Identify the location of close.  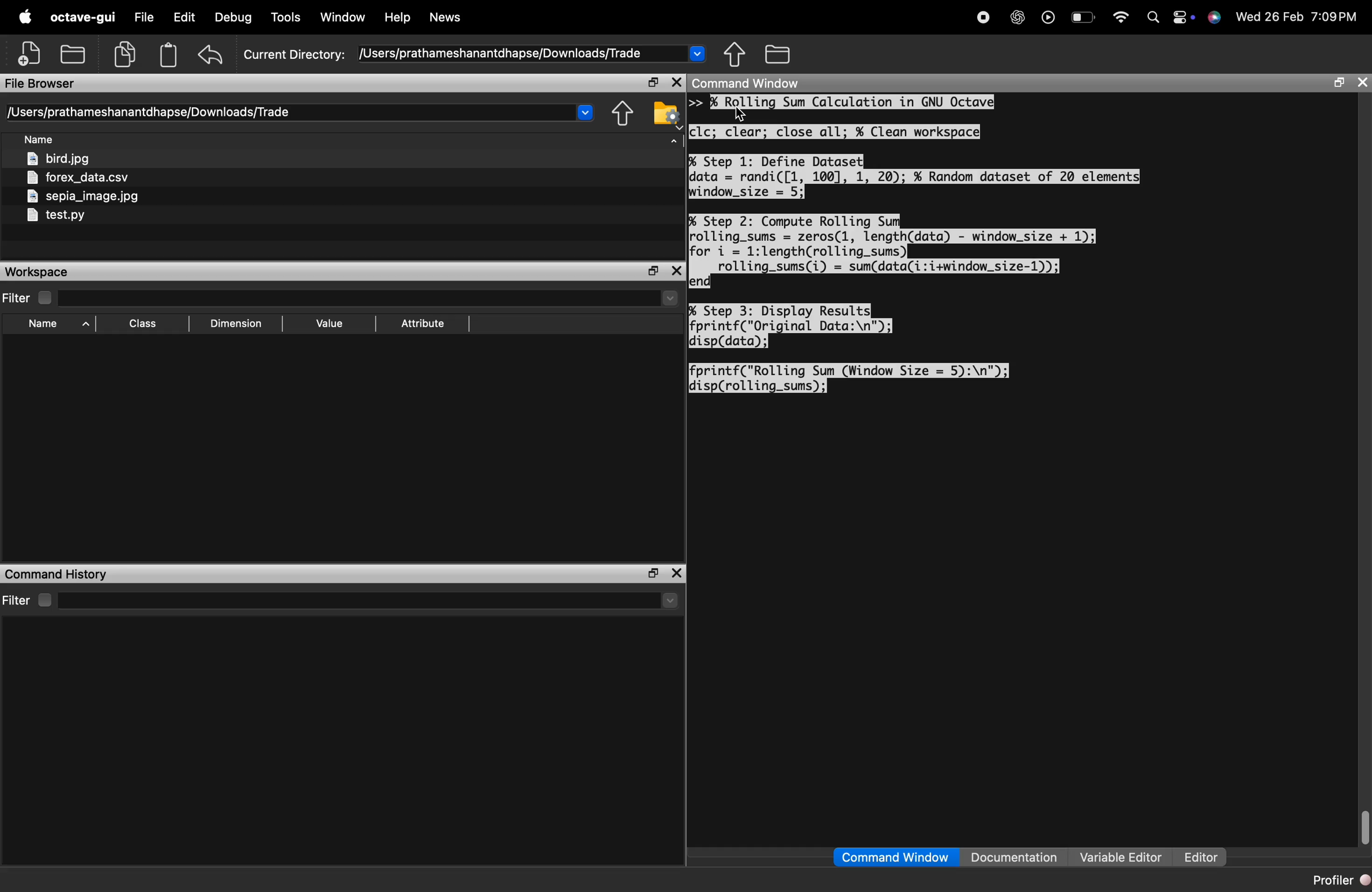
(678, 573).